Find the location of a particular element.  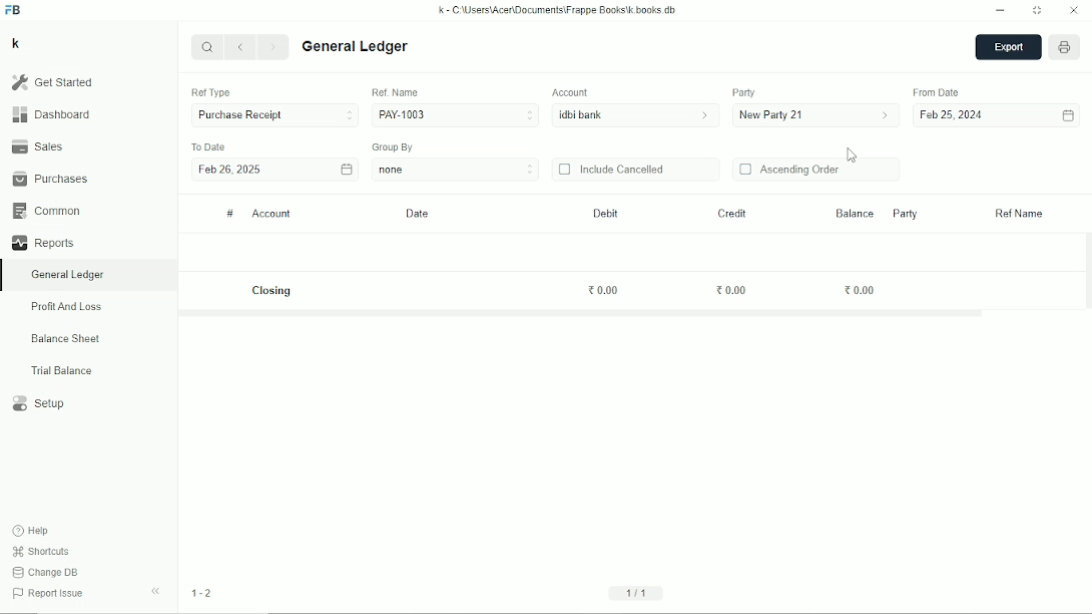

PAY-1003 is located at coordinates (455, 114).